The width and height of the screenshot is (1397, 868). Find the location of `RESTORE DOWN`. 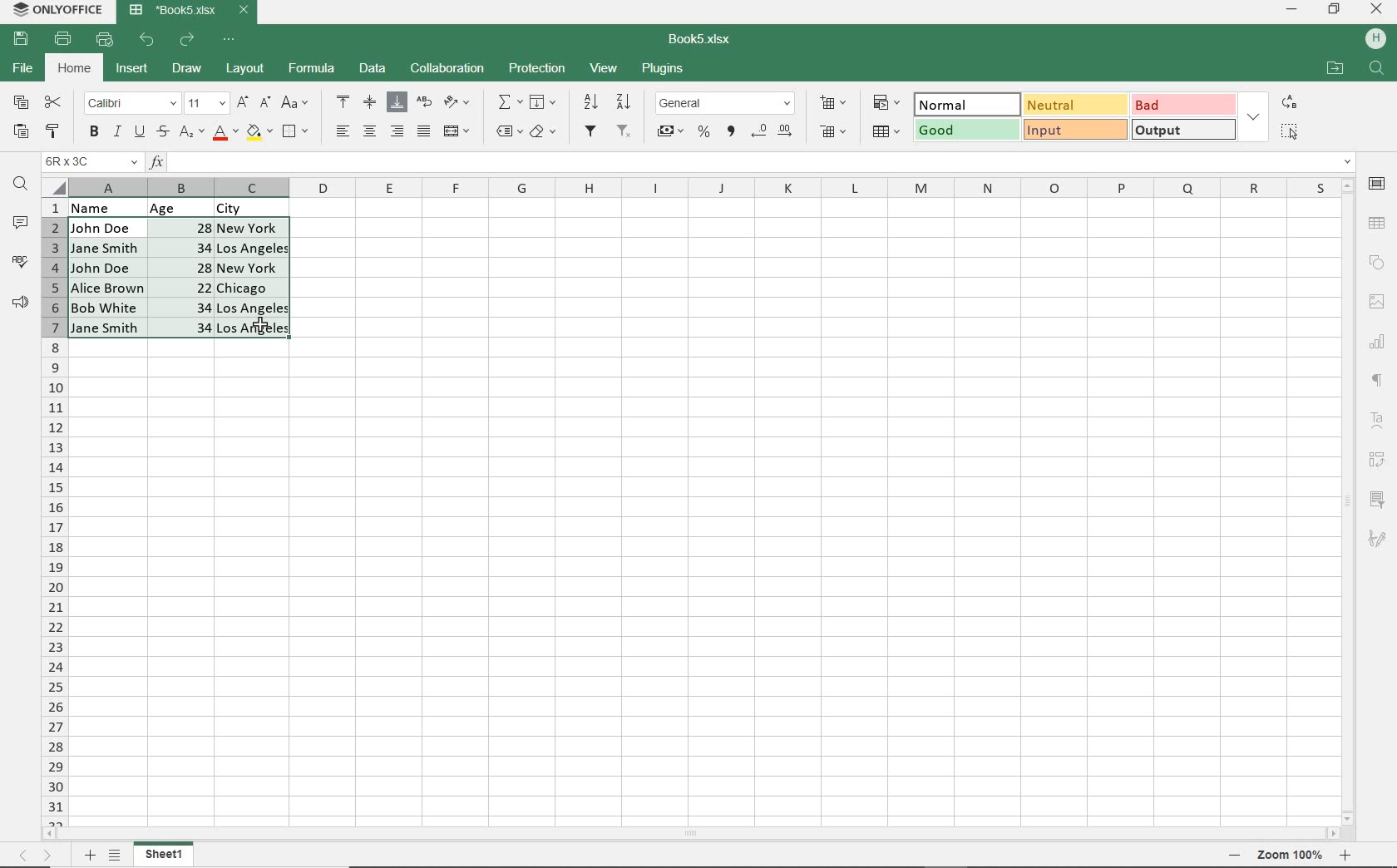

RESTORE DOWN is located at coordinates (1336, 8).